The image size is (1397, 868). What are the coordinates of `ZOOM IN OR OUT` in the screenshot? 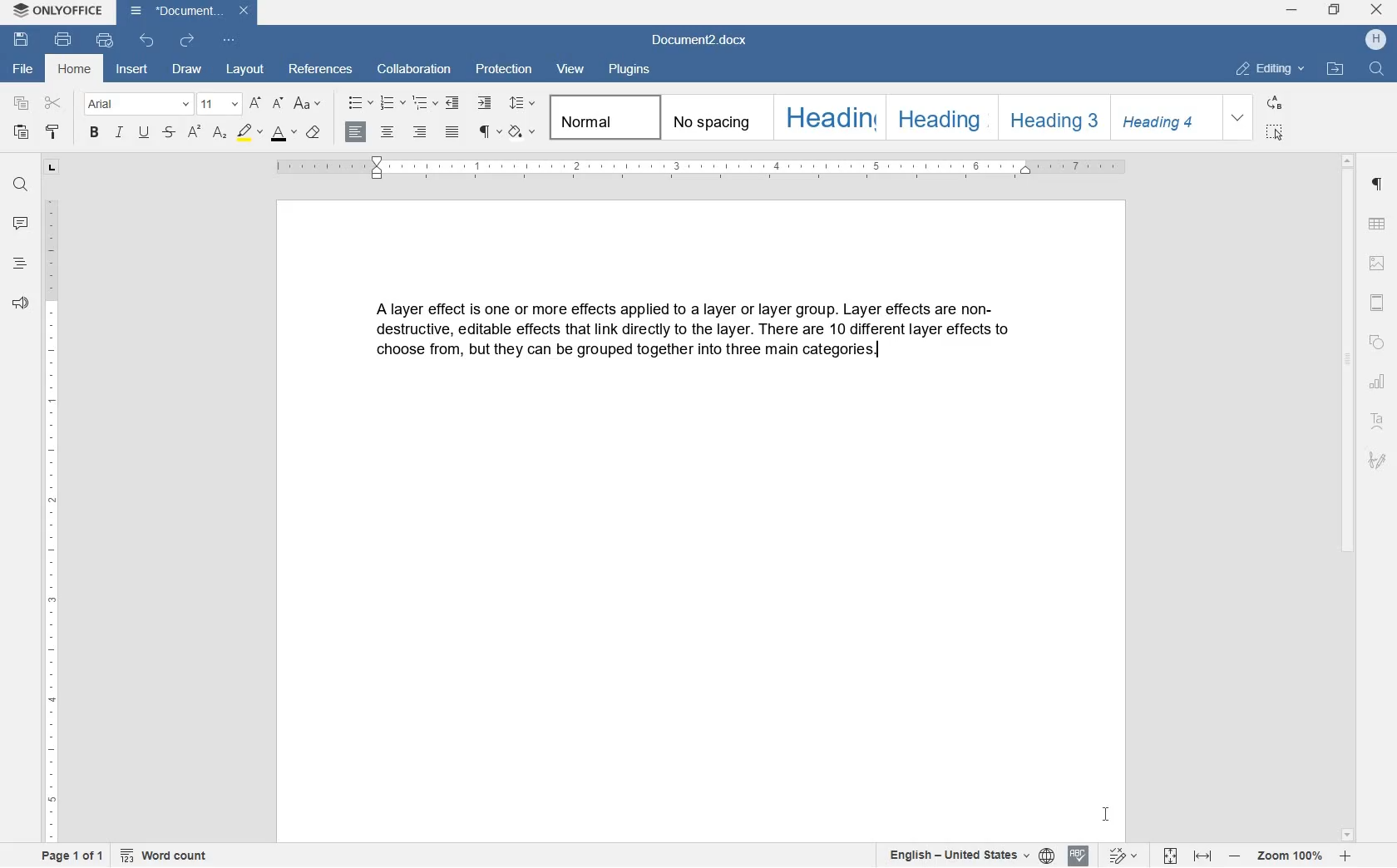 It's located at (1290, 858).